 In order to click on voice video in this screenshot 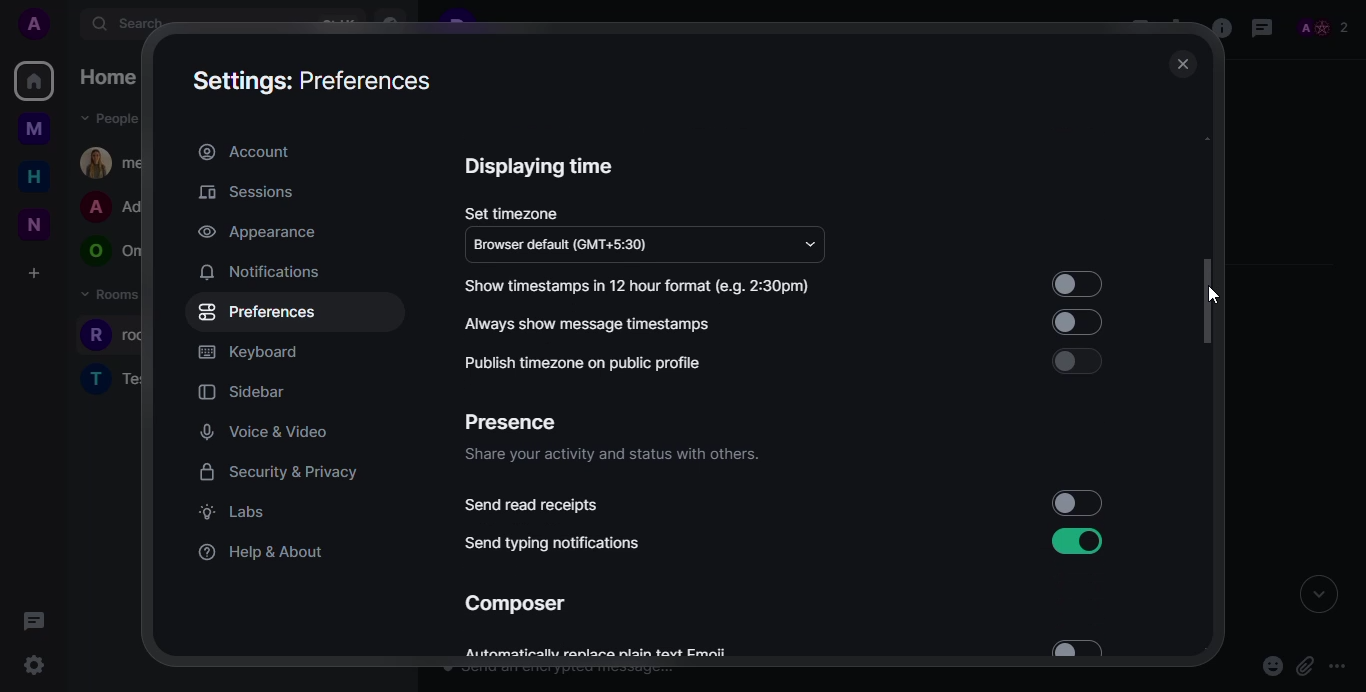, I will do `click(265, 432)`.